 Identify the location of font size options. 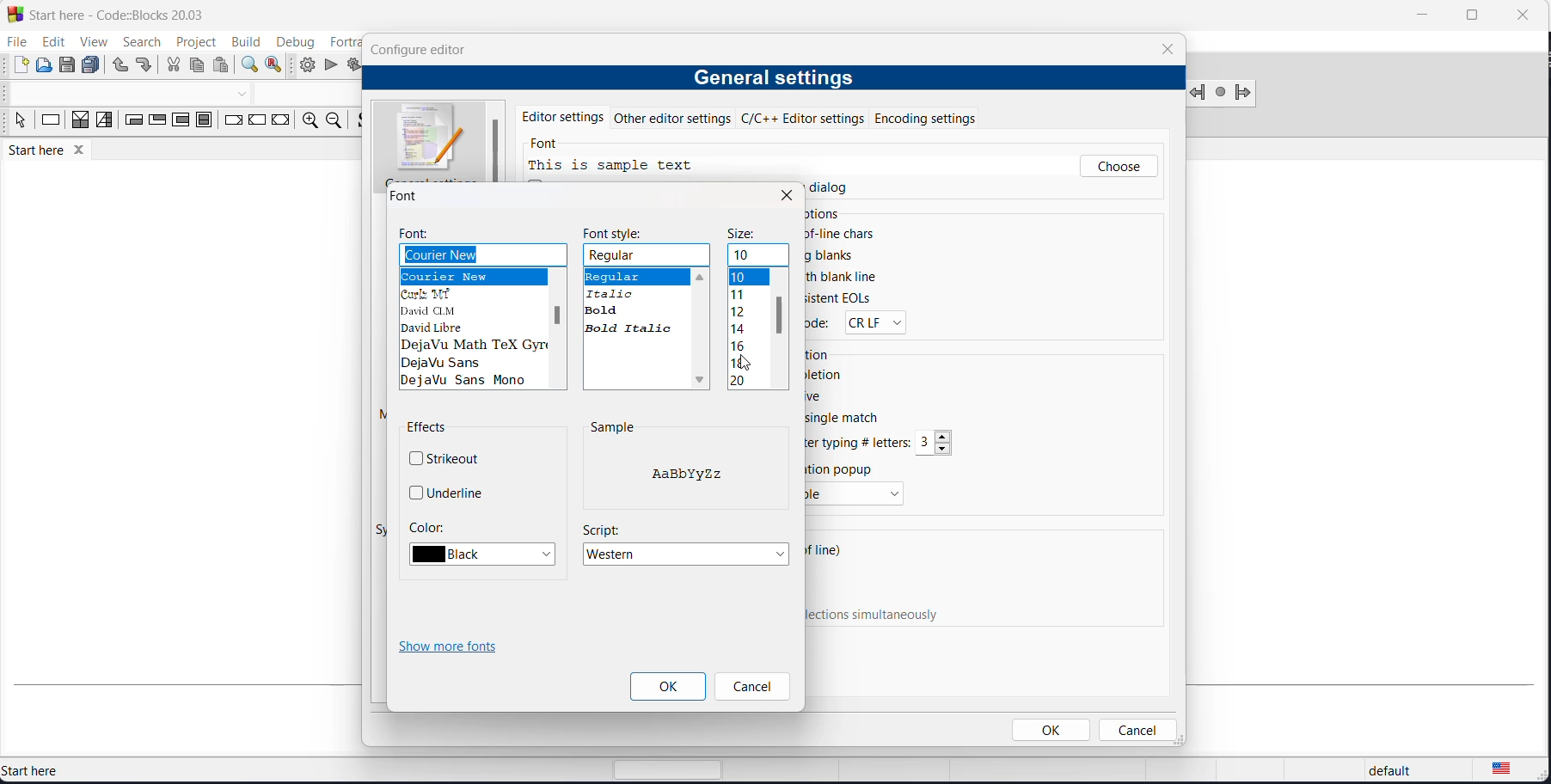
(747, 328).